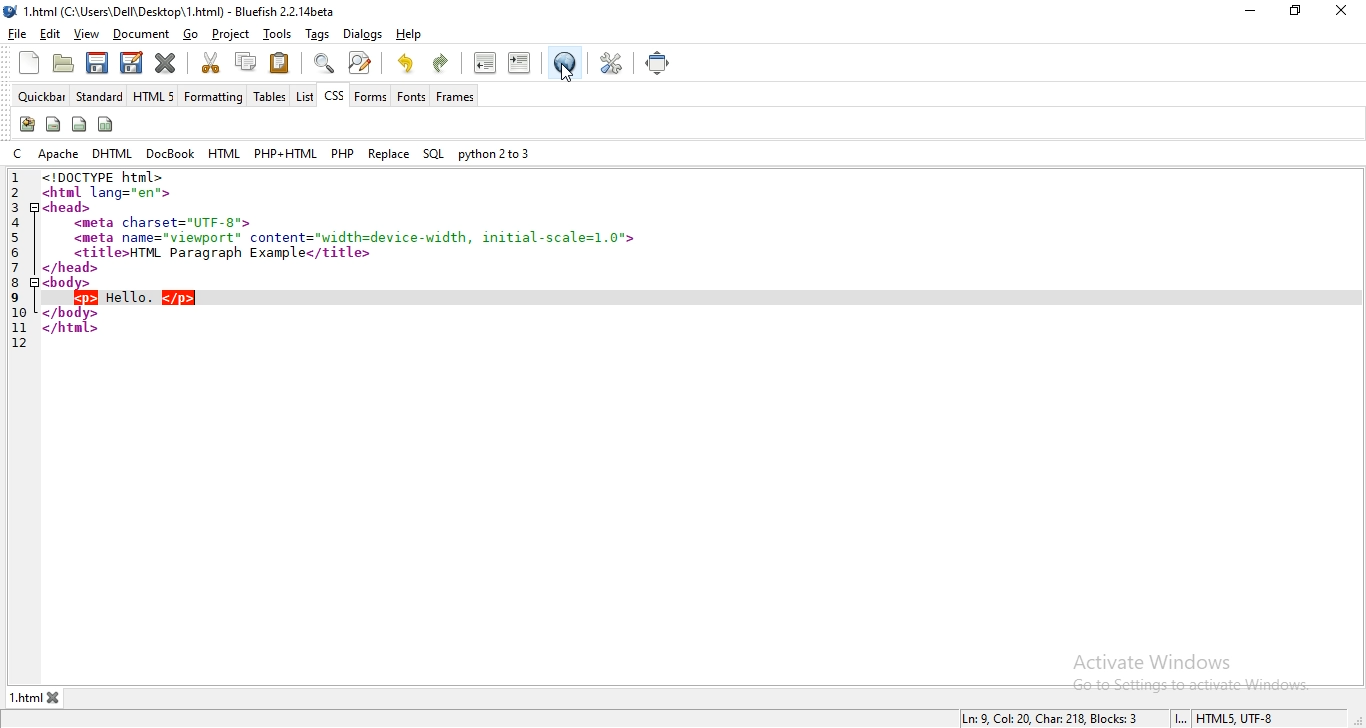 This screenshot has height=728, width=1366. Describe the element at coordinates (334, 95) in the screenshot. I see `css` at that location.